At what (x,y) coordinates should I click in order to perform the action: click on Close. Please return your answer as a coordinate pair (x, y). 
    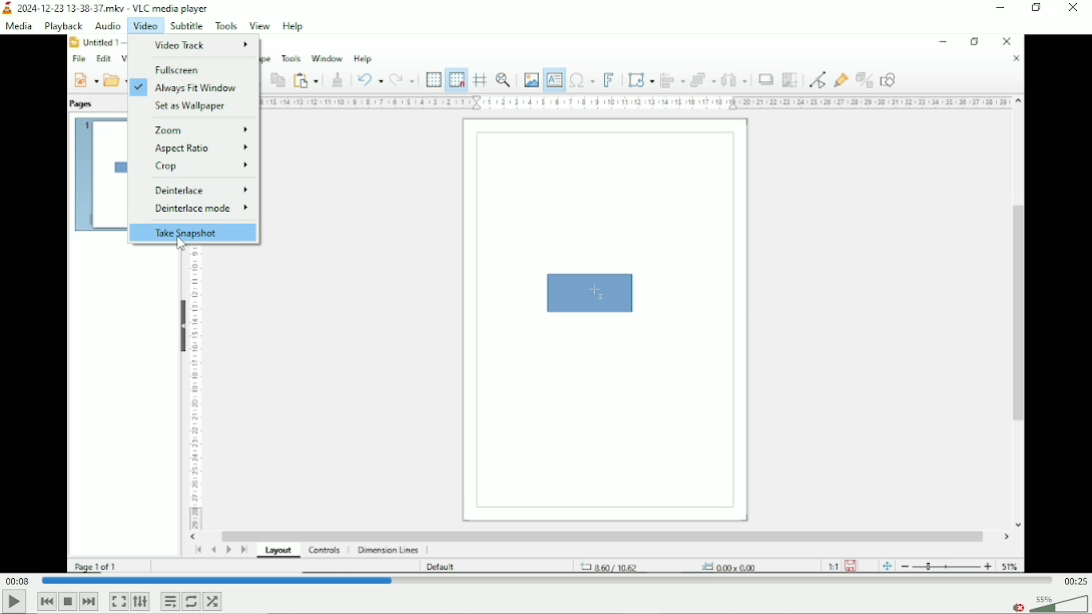
    Looking at the image, I should click on (1076, 10).